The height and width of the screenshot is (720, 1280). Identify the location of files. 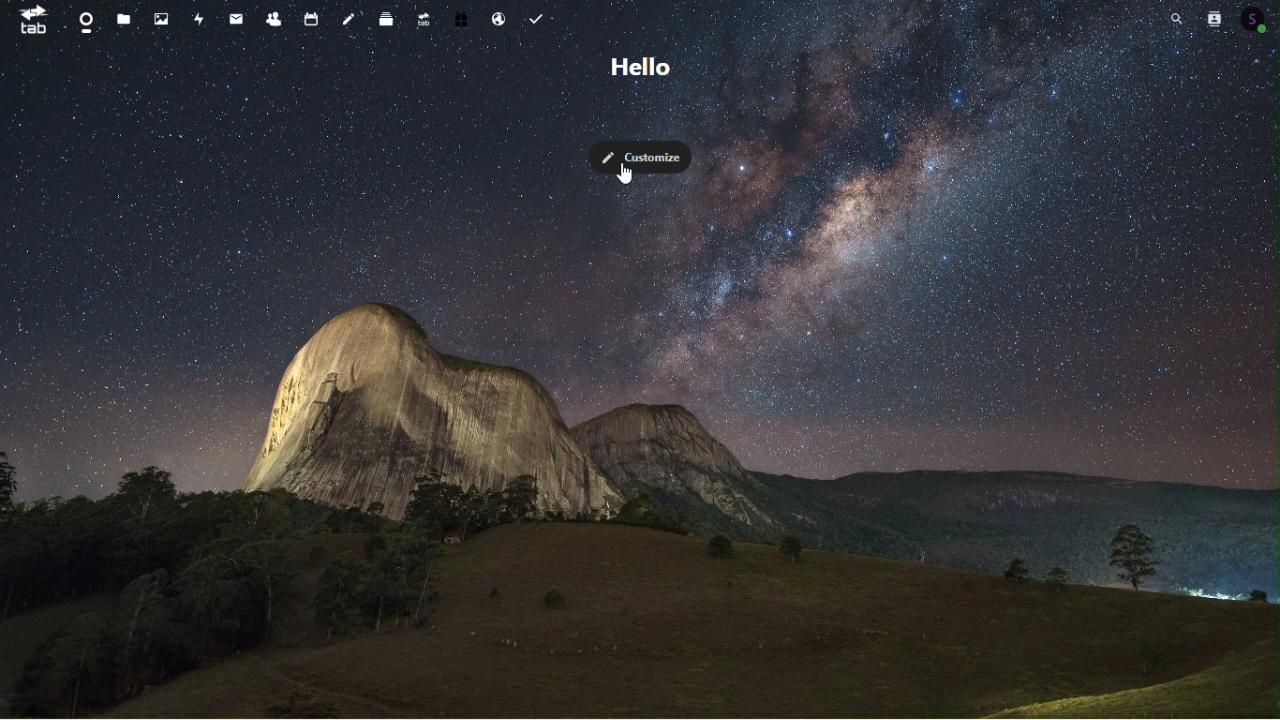
(121, 19).